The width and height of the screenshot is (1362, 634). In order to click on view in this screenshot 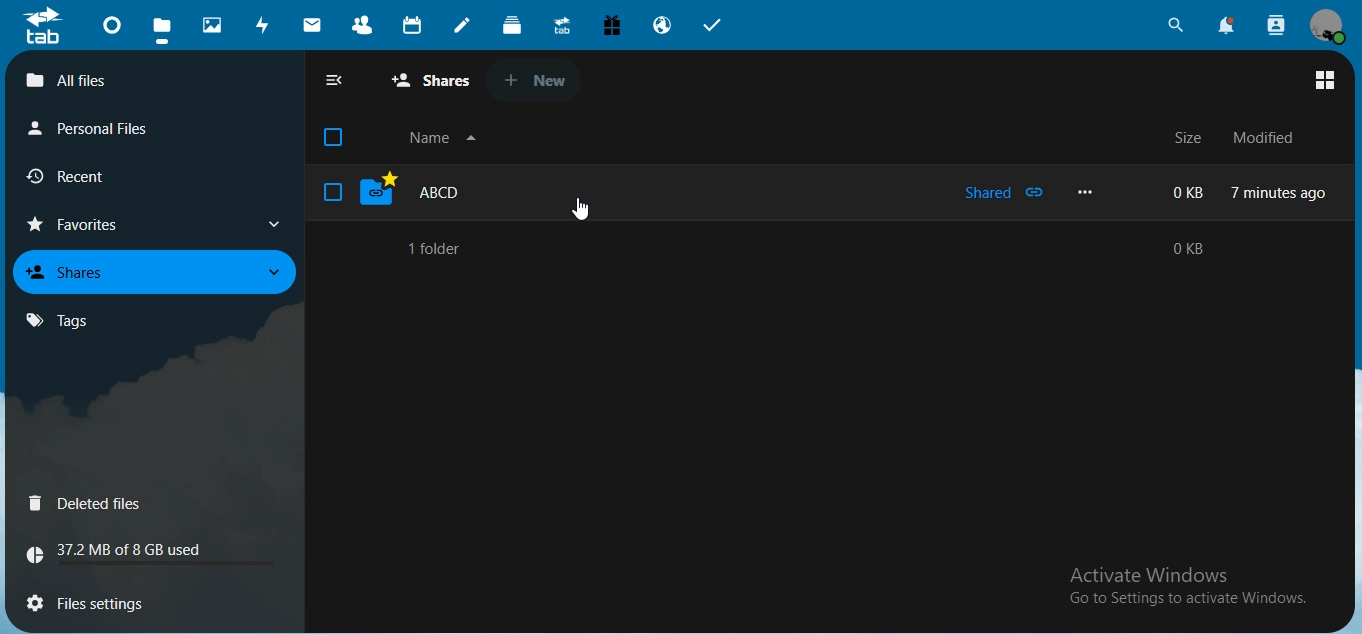, I will do `click(1325, 82)`.